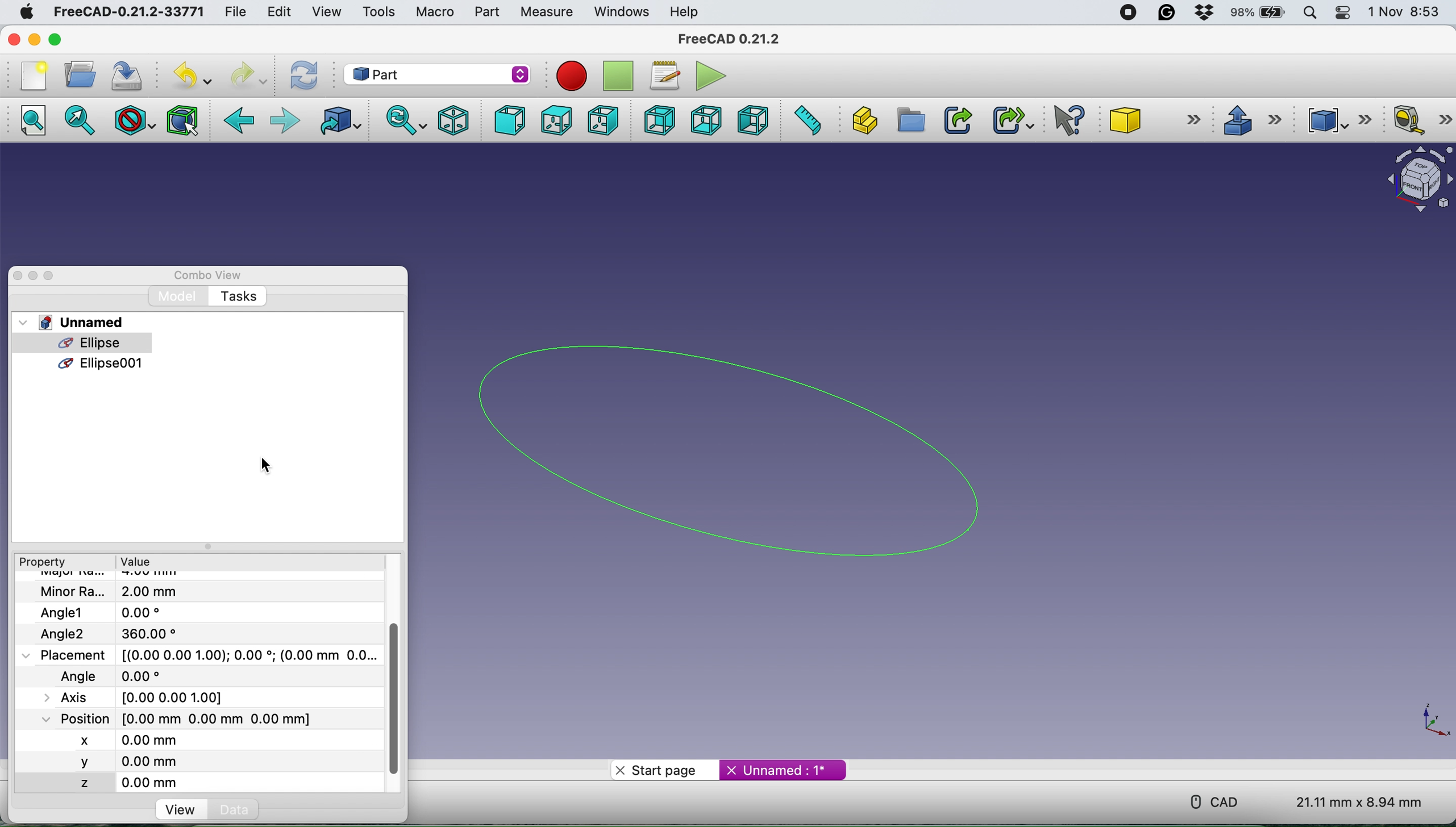  I want to click on macros, so click(664, 74).